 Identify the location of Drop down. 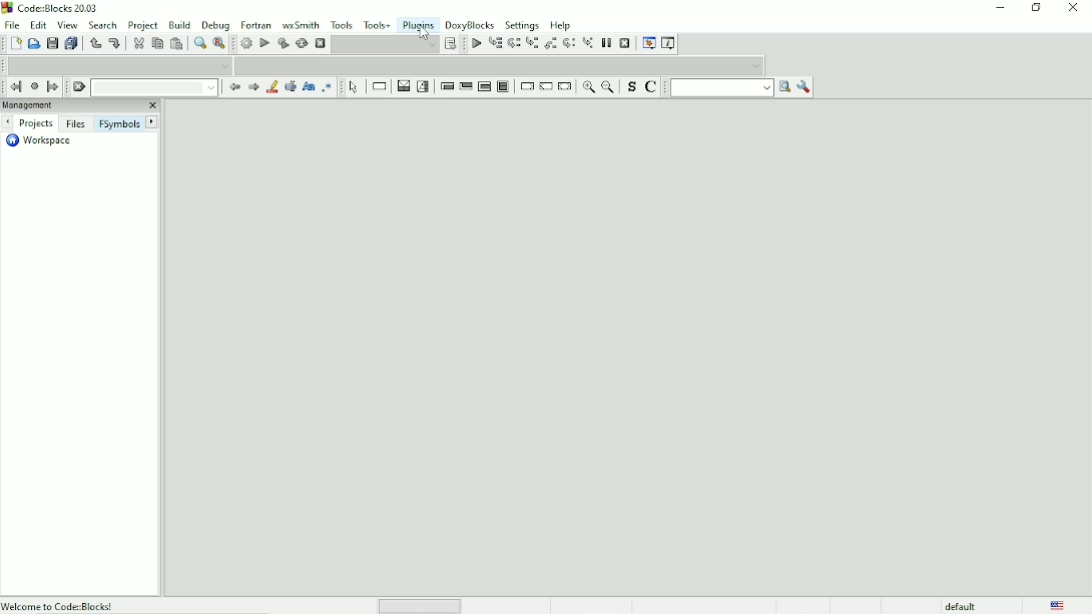
(154, 87).